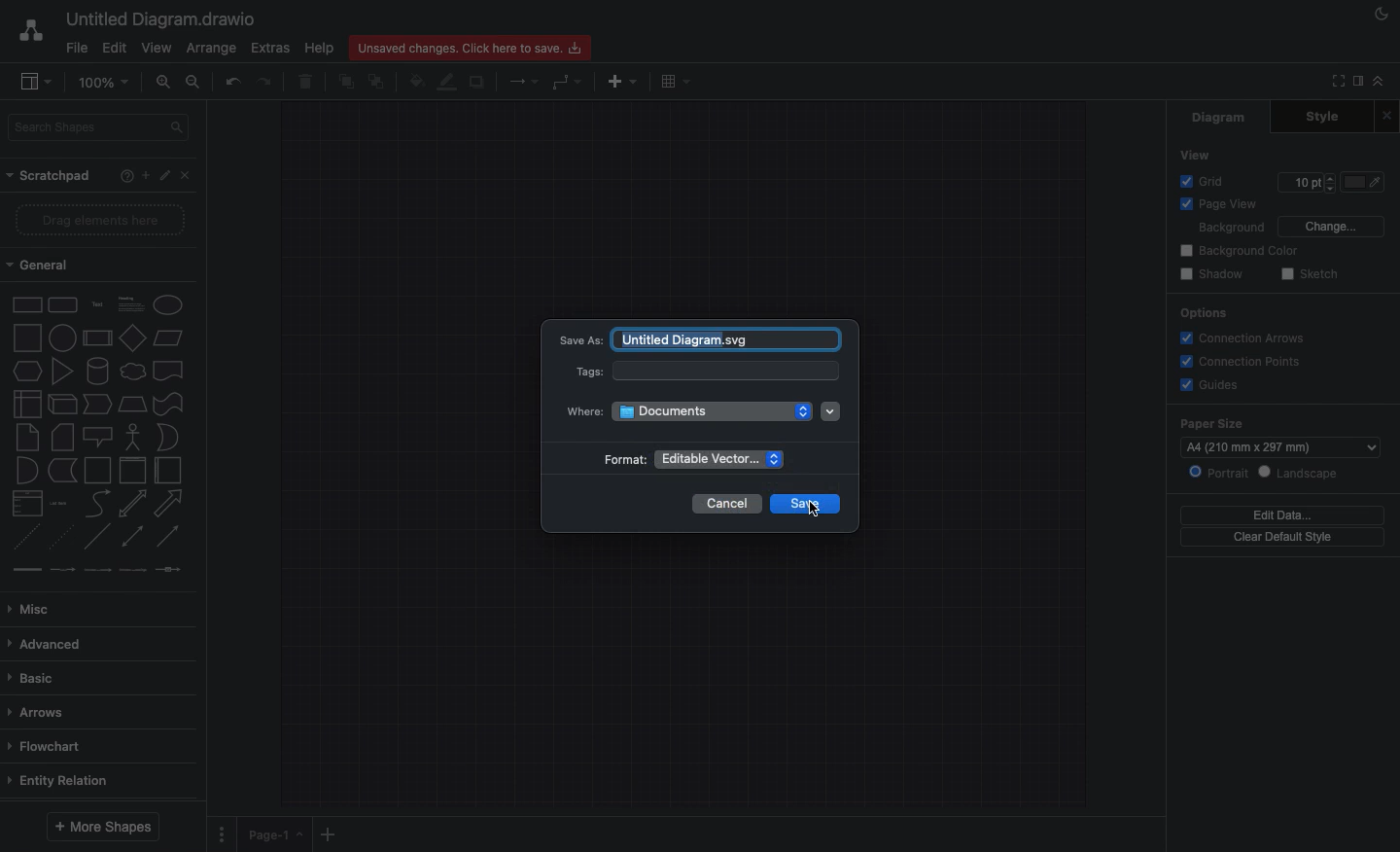  I want to click on Page view, so click(1220, 205).